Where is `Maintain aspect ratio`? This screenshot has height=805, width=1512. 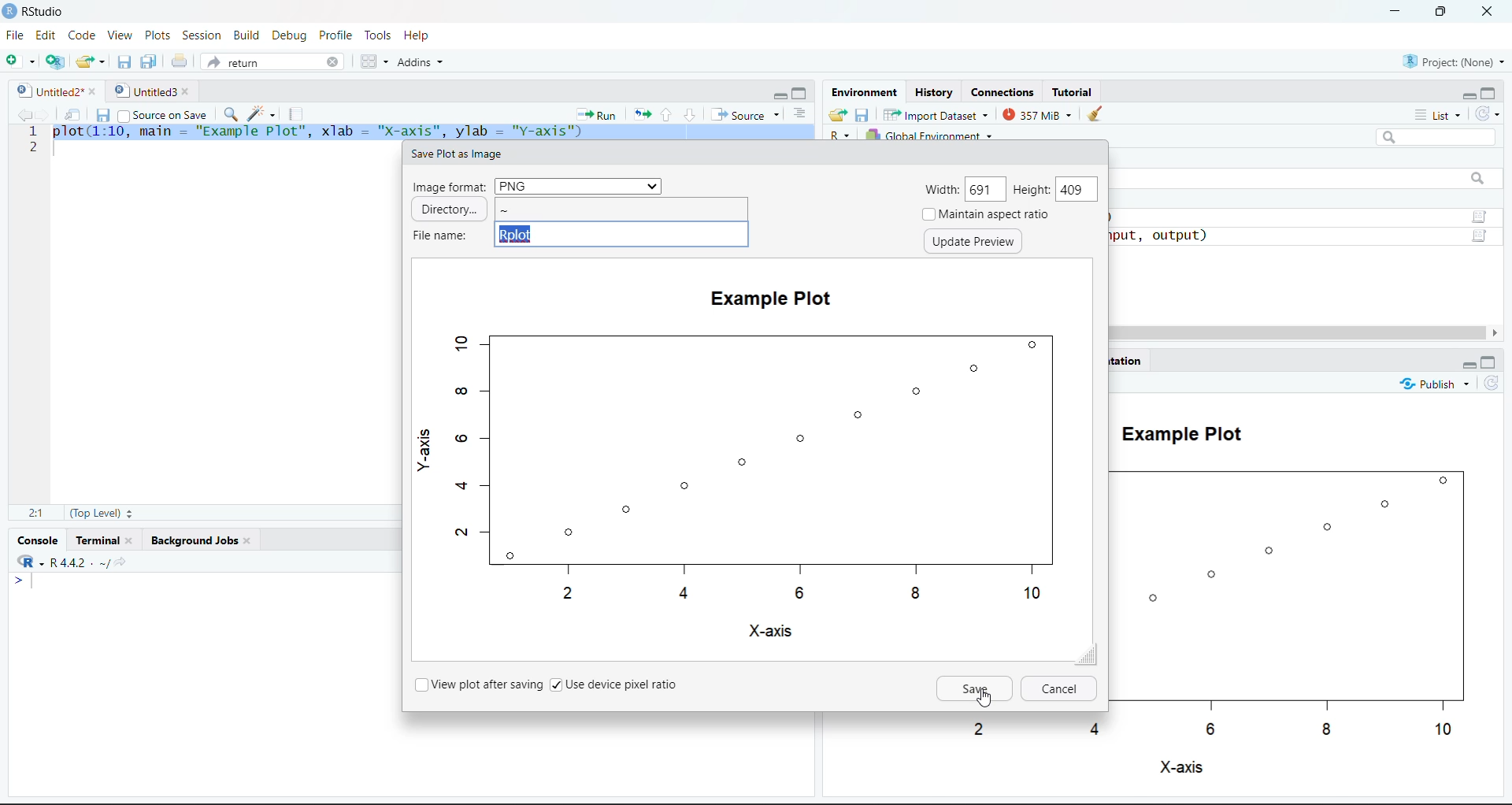
Maintain aspect ratio is located at coordinates (988, 214).